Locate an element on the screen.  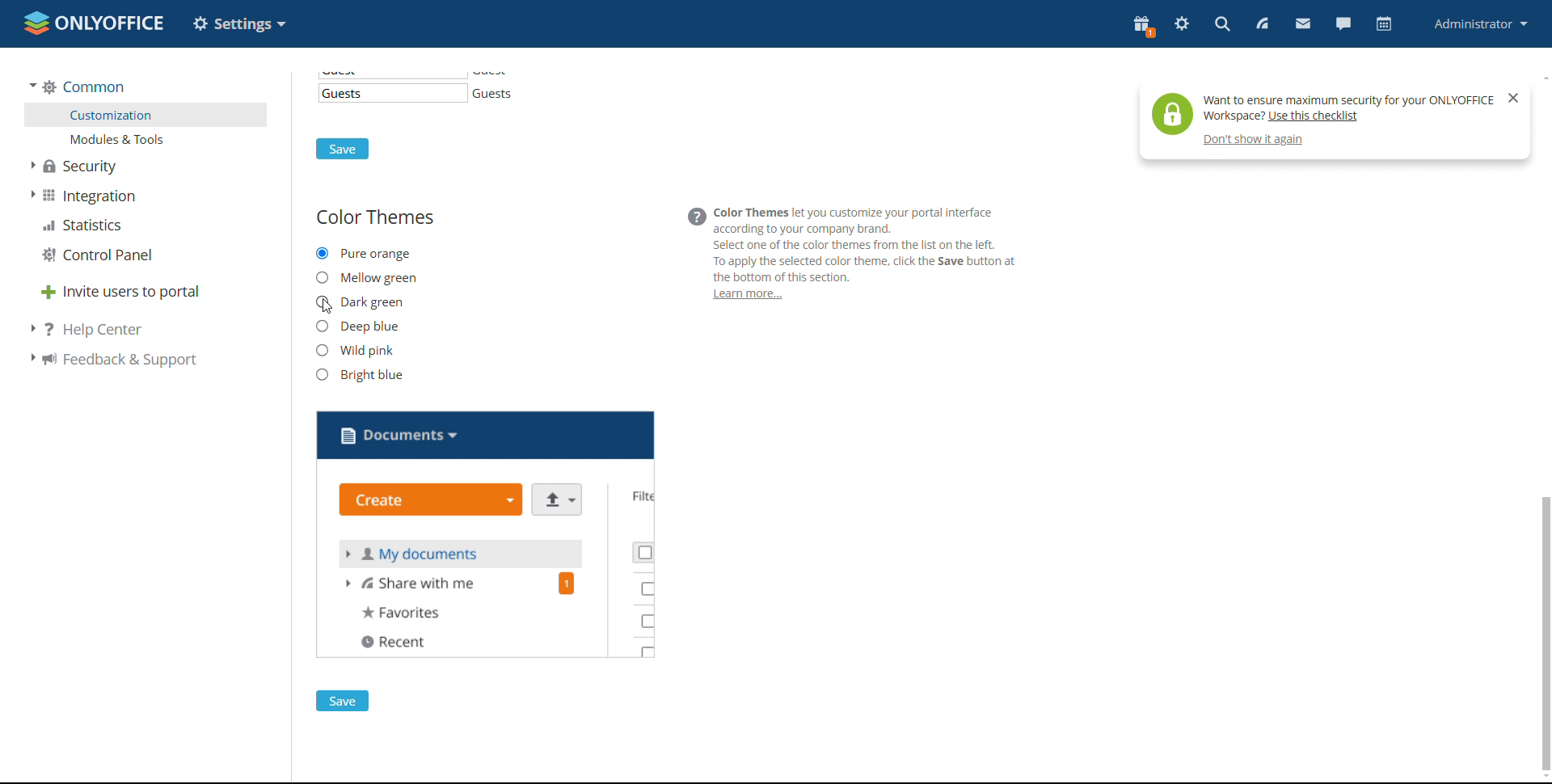
chat is located at coordinates (1343, 23).